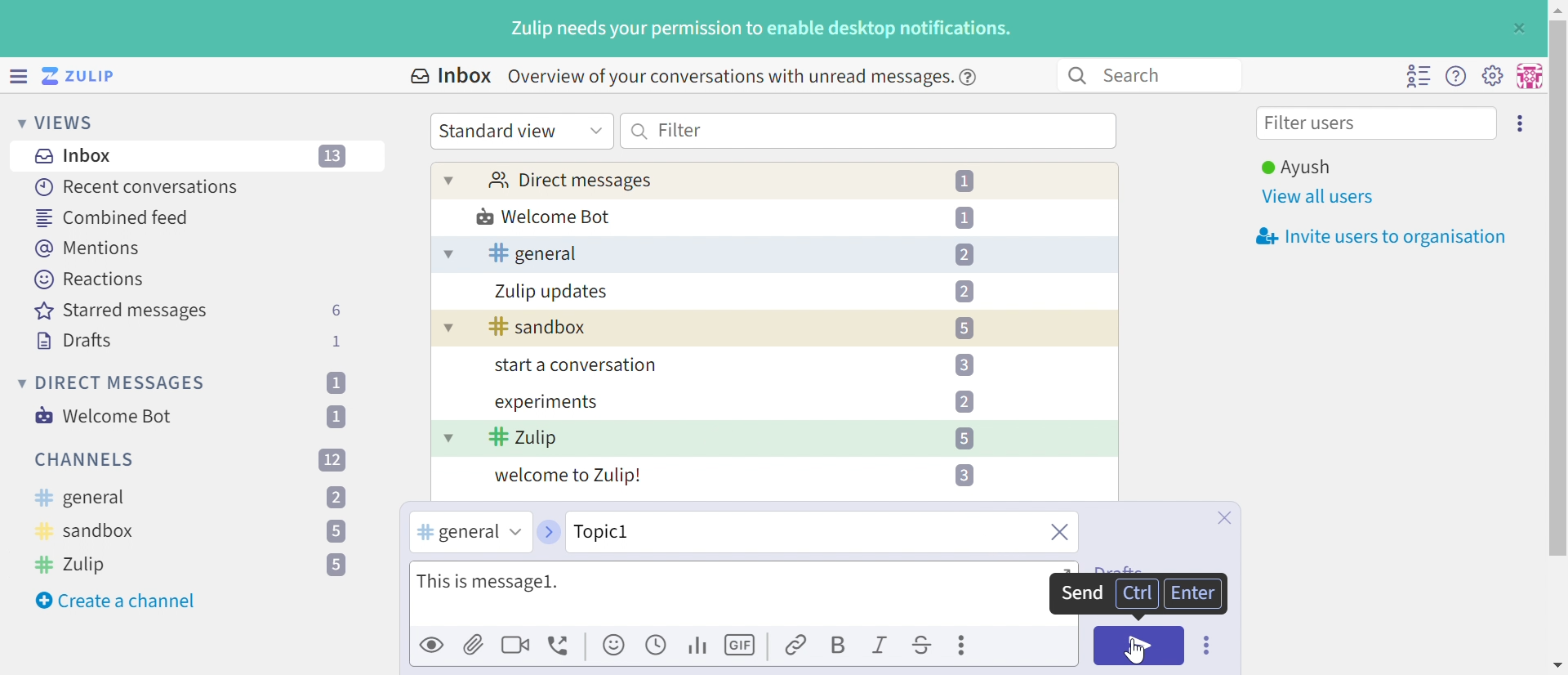 Image resolution: width=1568 pixels, height=675 pixels. I want to click on Bold, so click(837, 646).